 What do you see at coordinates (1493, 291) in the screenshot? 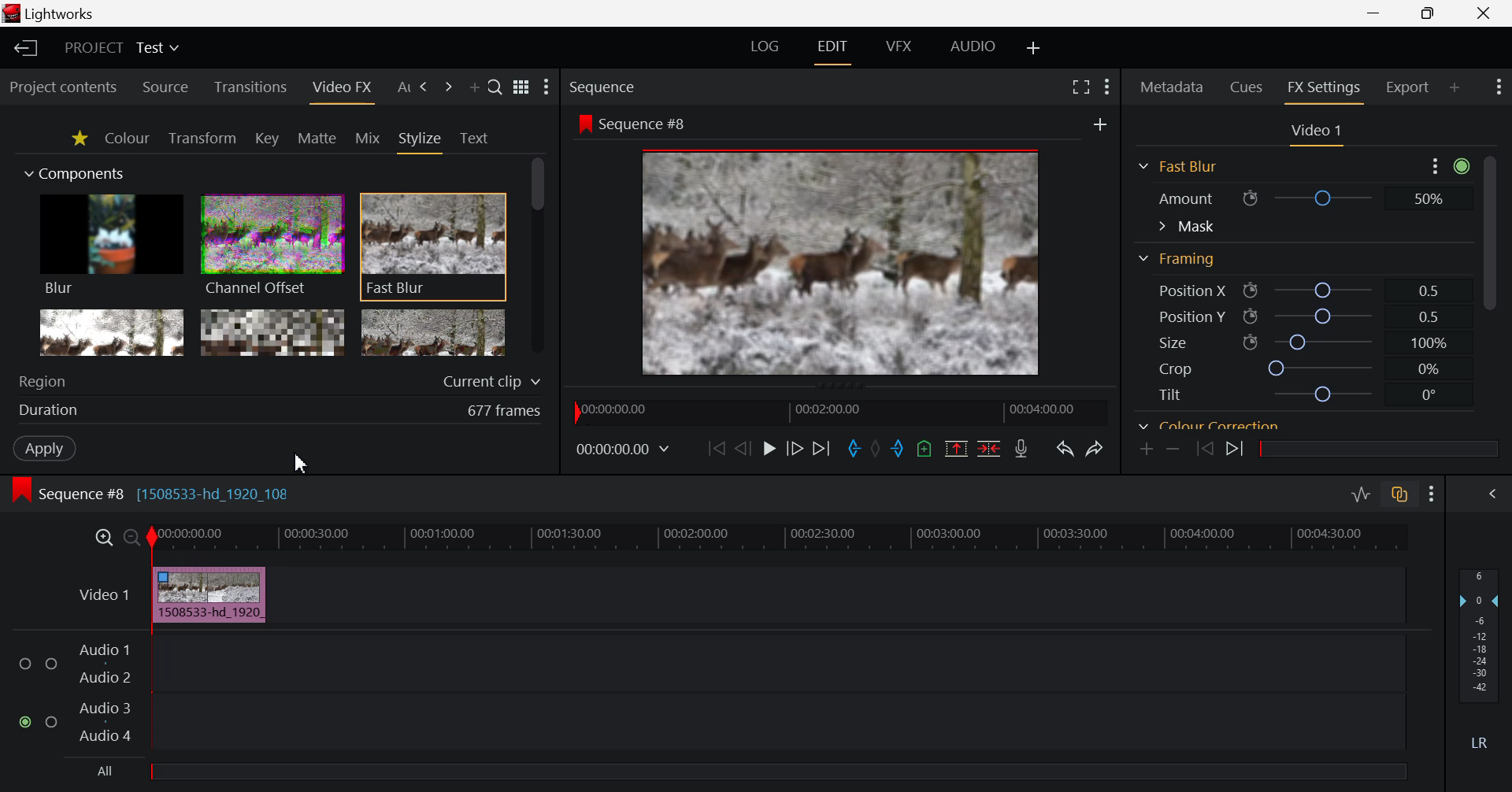
I see `Scroll Bar` at bounding box center [1493, 291].